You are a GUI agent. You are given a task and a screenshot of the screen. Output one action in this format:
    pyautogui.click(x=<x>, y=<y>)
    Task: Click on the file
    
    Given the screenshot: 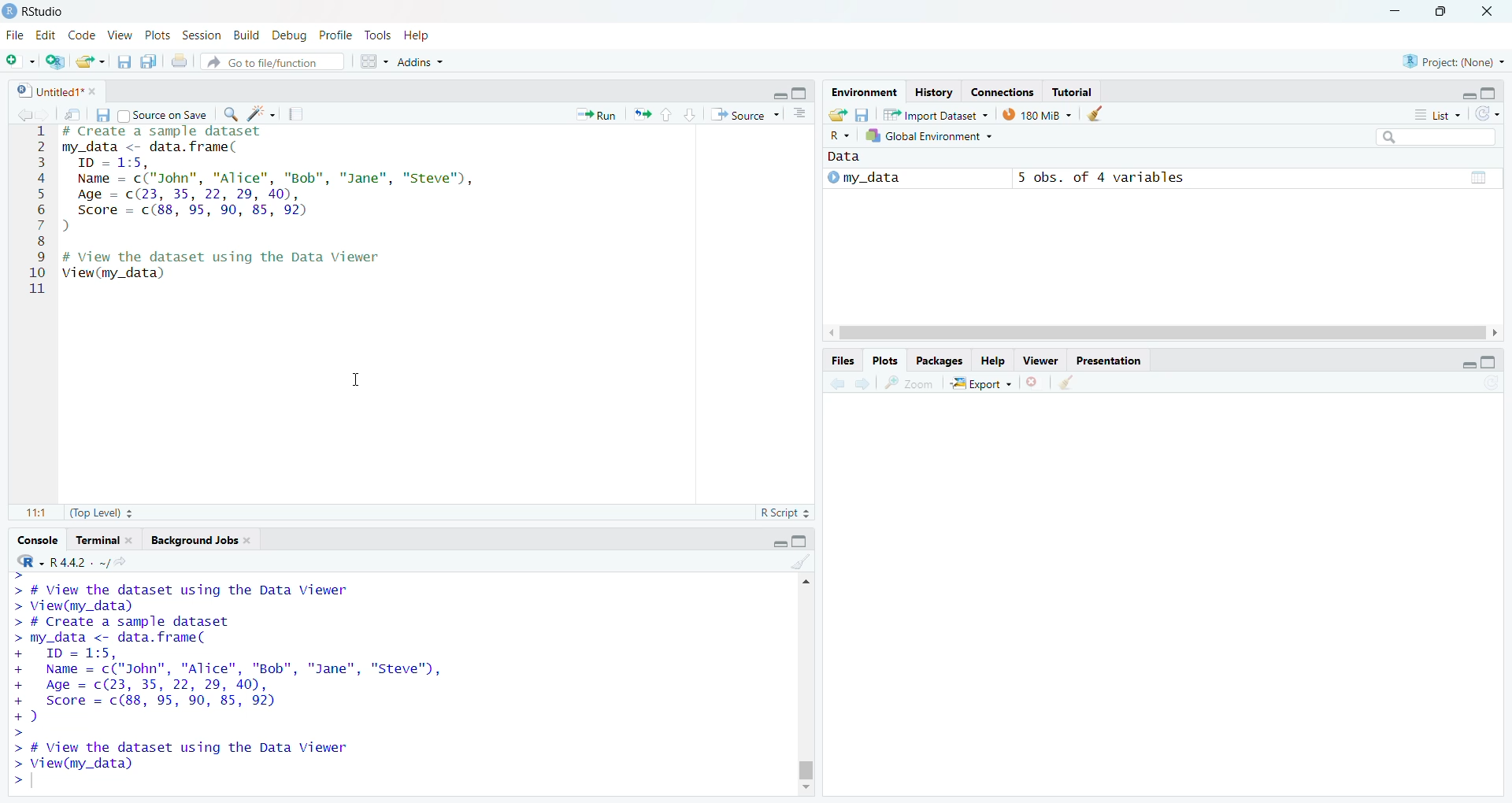 What is the action you would take?
    pyautogui.click(x=15, y=37)
    